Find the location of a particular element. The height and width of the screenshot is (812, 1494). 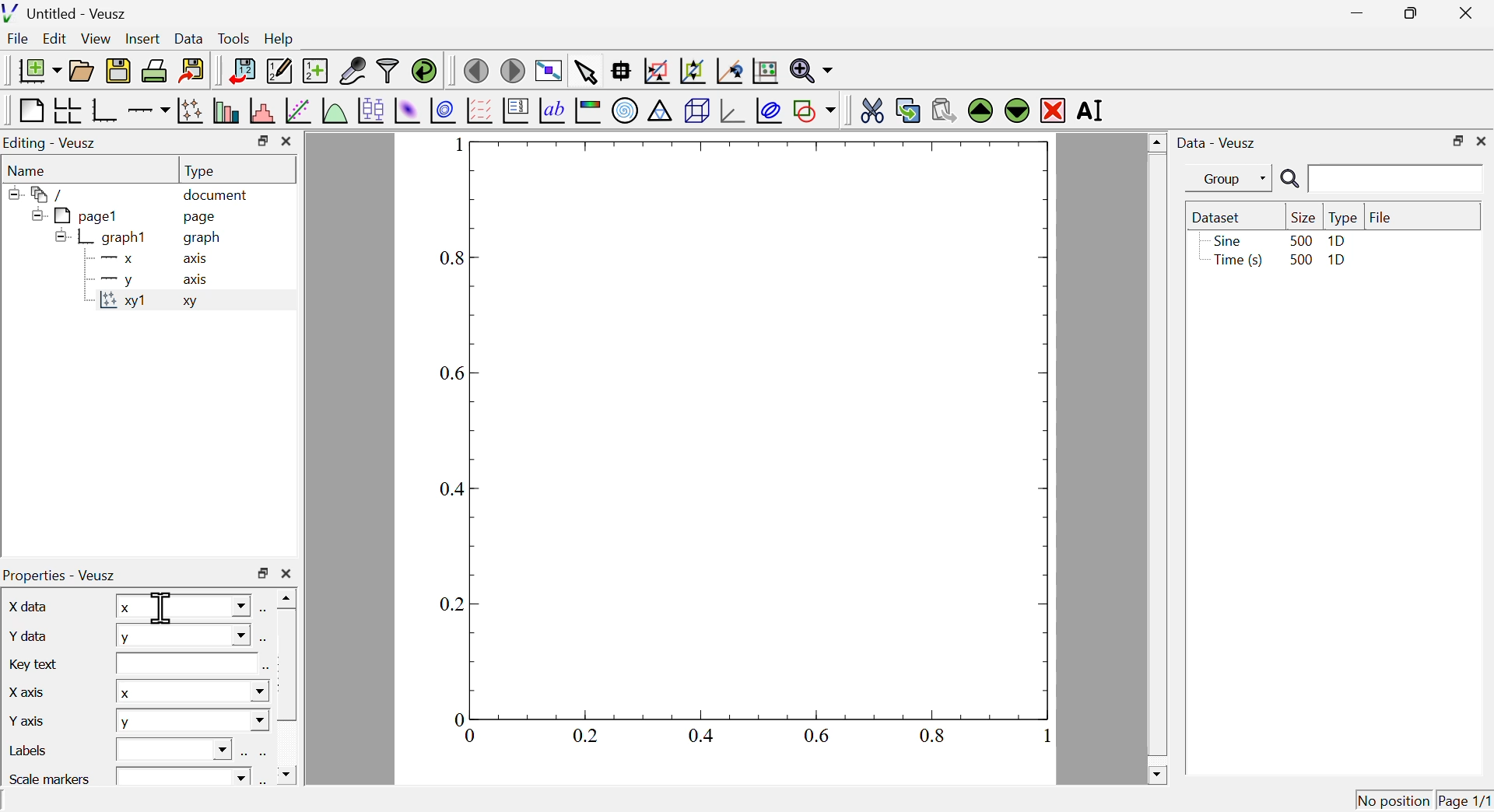

0.4 is located at coordinates (454, 491).